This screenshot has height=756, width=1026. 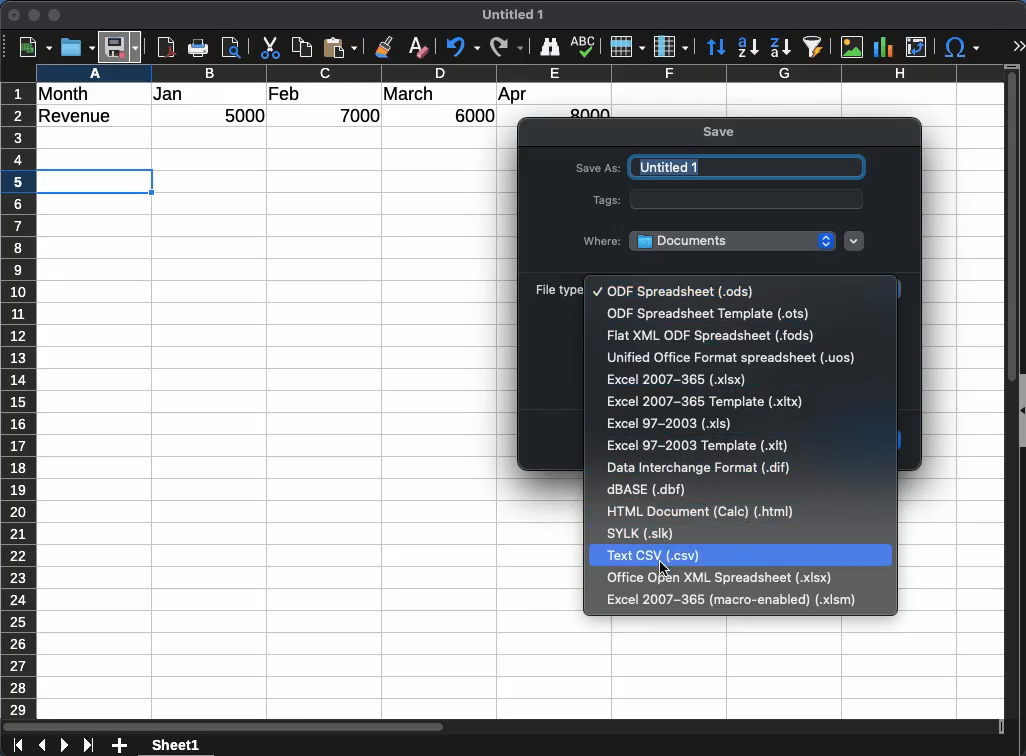 What do you see at coordinates (121, 746) in the screenshot?
I see `add sheet` at bounding box center [121, 746].